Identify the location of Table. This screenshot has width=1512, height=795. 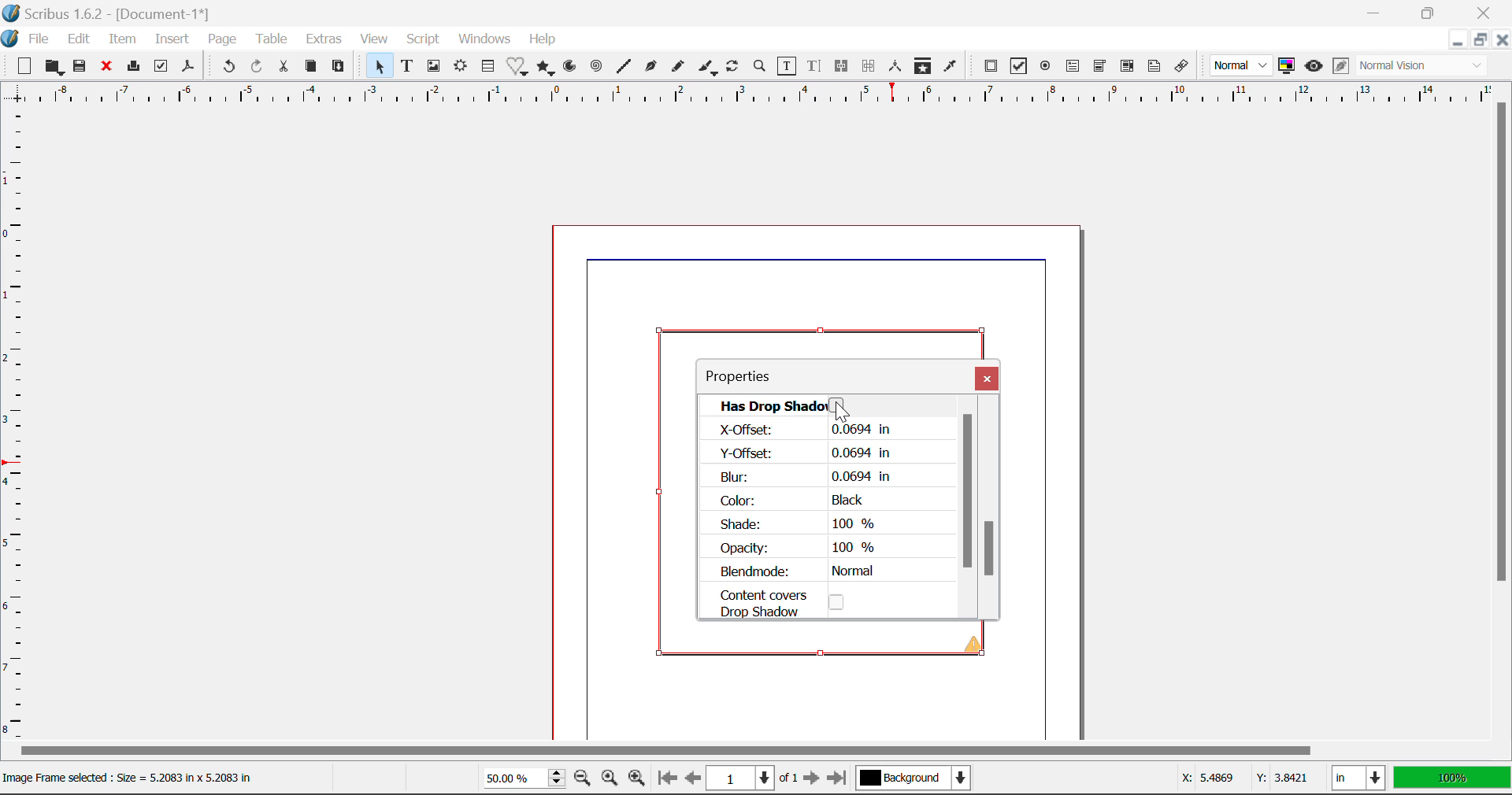
(273, 39).